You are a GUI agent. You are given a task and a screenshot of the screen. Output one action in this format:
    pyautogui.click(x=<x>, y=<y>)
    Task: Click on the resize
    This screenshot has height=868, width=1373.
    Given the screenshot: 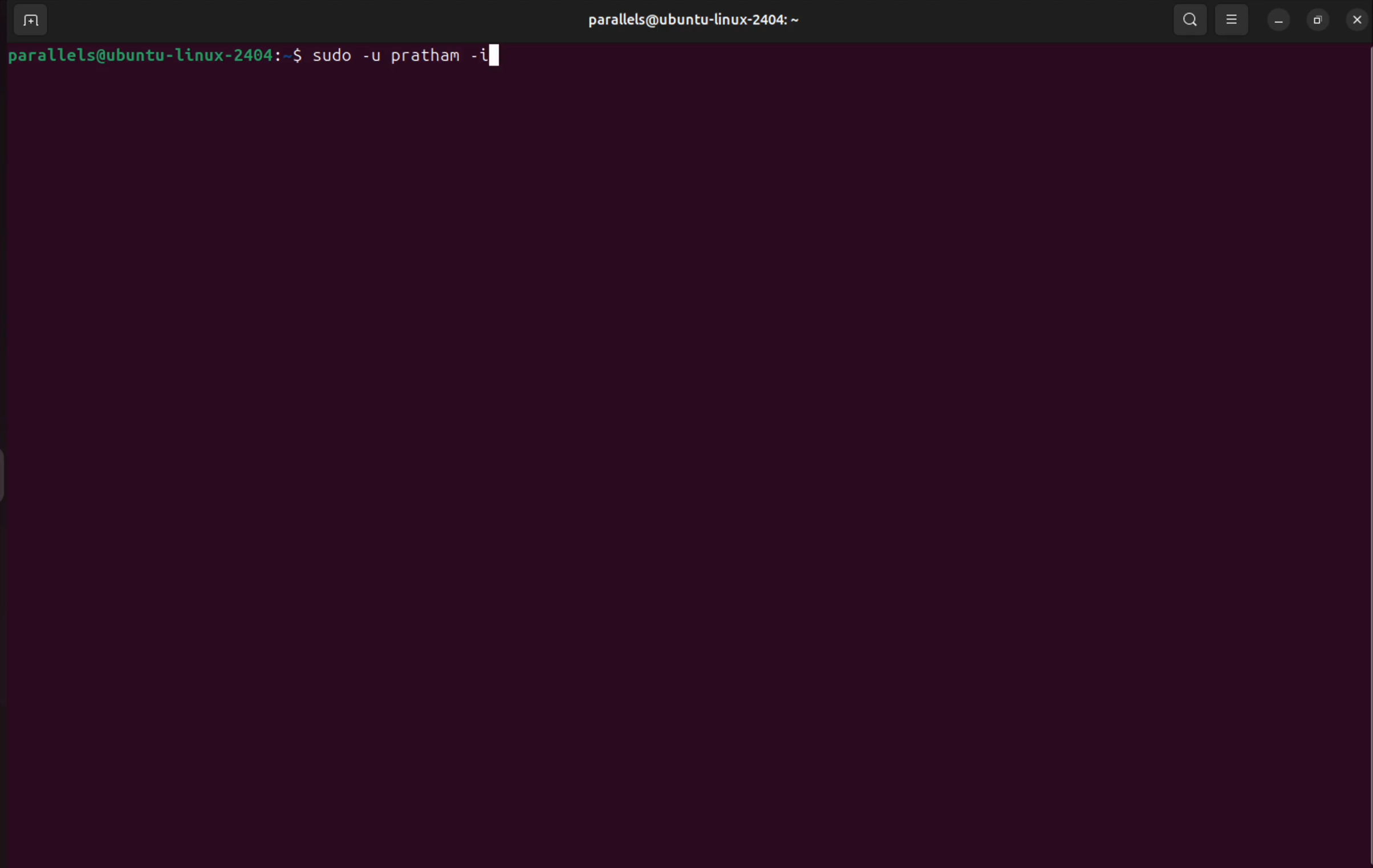 What is the action you would take?
    pyautogui.click(x=1318, y=20)
    